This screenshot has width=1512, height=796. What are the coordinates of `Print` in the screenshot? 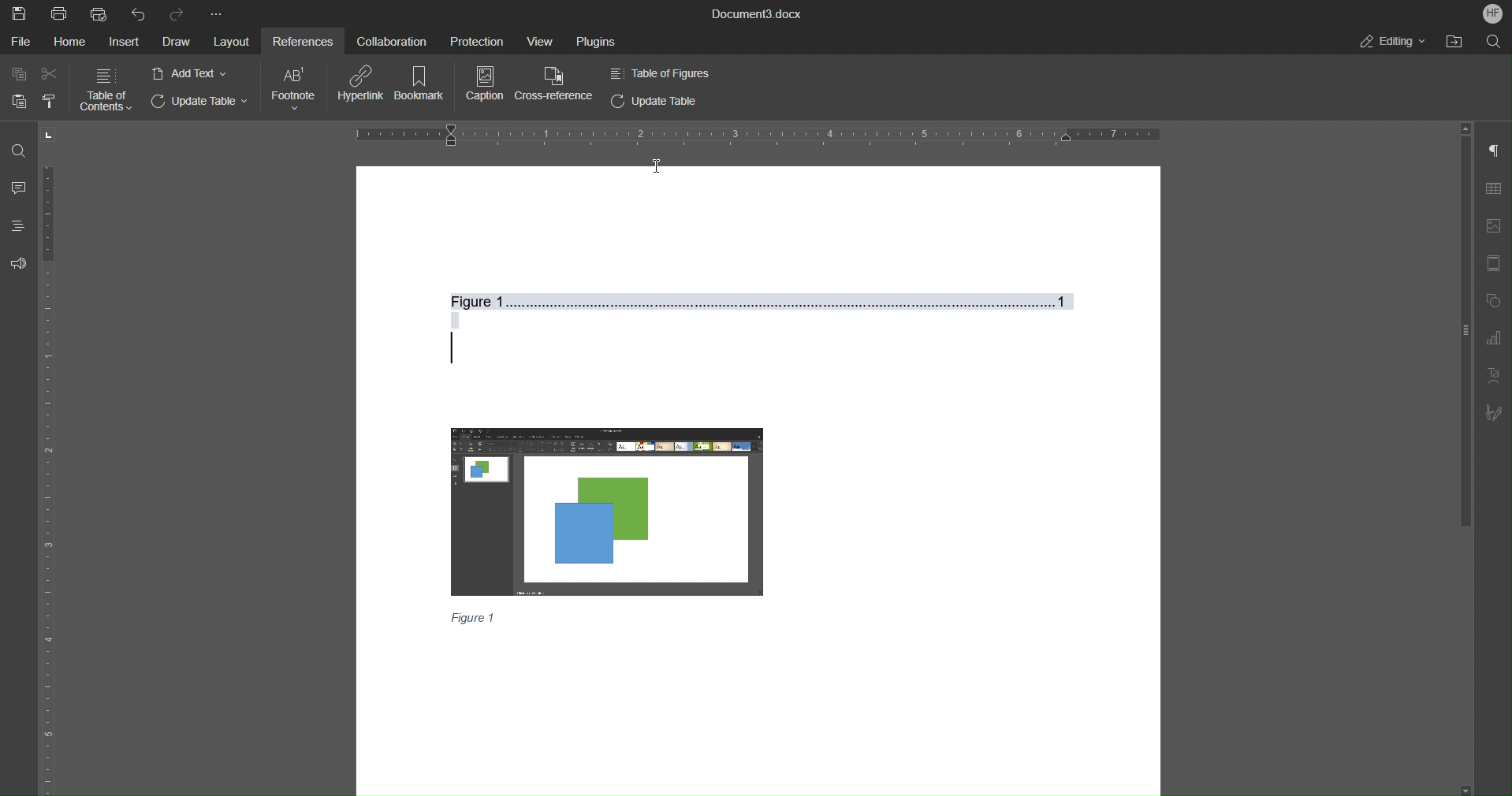 It's located at (60, 13).